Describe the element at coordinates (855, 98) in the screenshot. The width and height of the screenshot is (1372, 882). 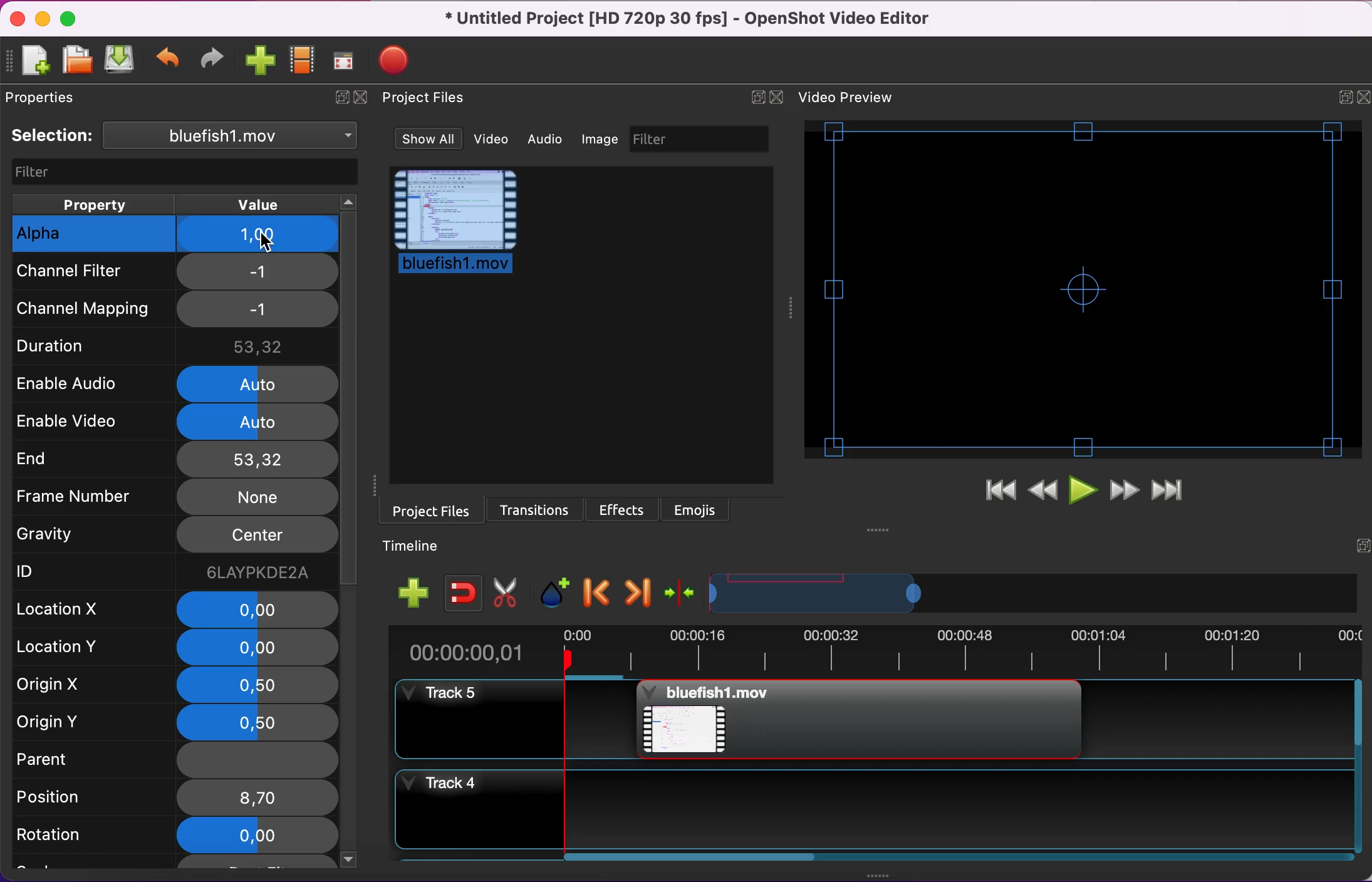
I see `video preview` at that location.